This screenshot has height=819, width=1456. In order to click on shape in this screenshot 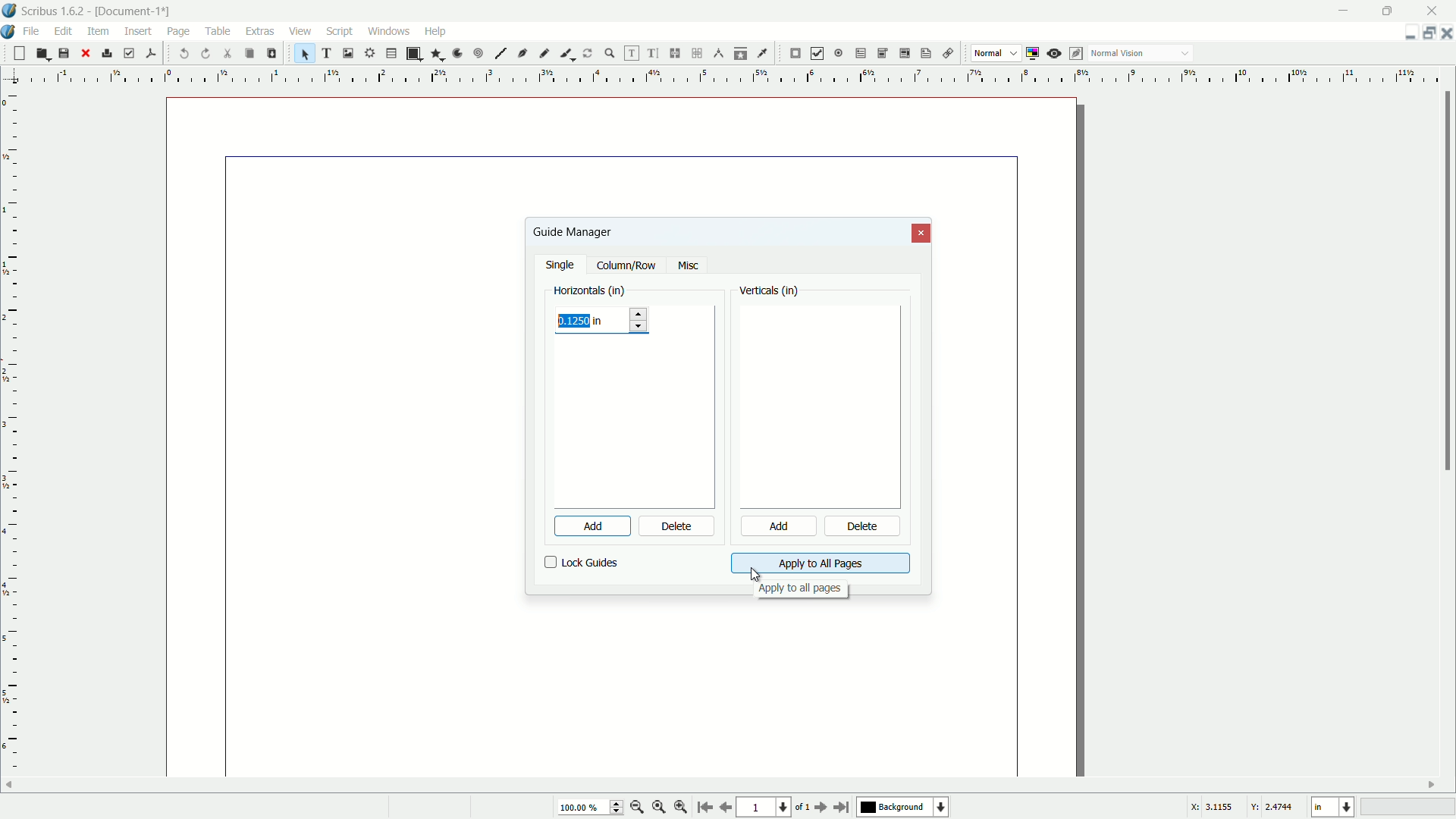, I will do `click(413, 54)`.